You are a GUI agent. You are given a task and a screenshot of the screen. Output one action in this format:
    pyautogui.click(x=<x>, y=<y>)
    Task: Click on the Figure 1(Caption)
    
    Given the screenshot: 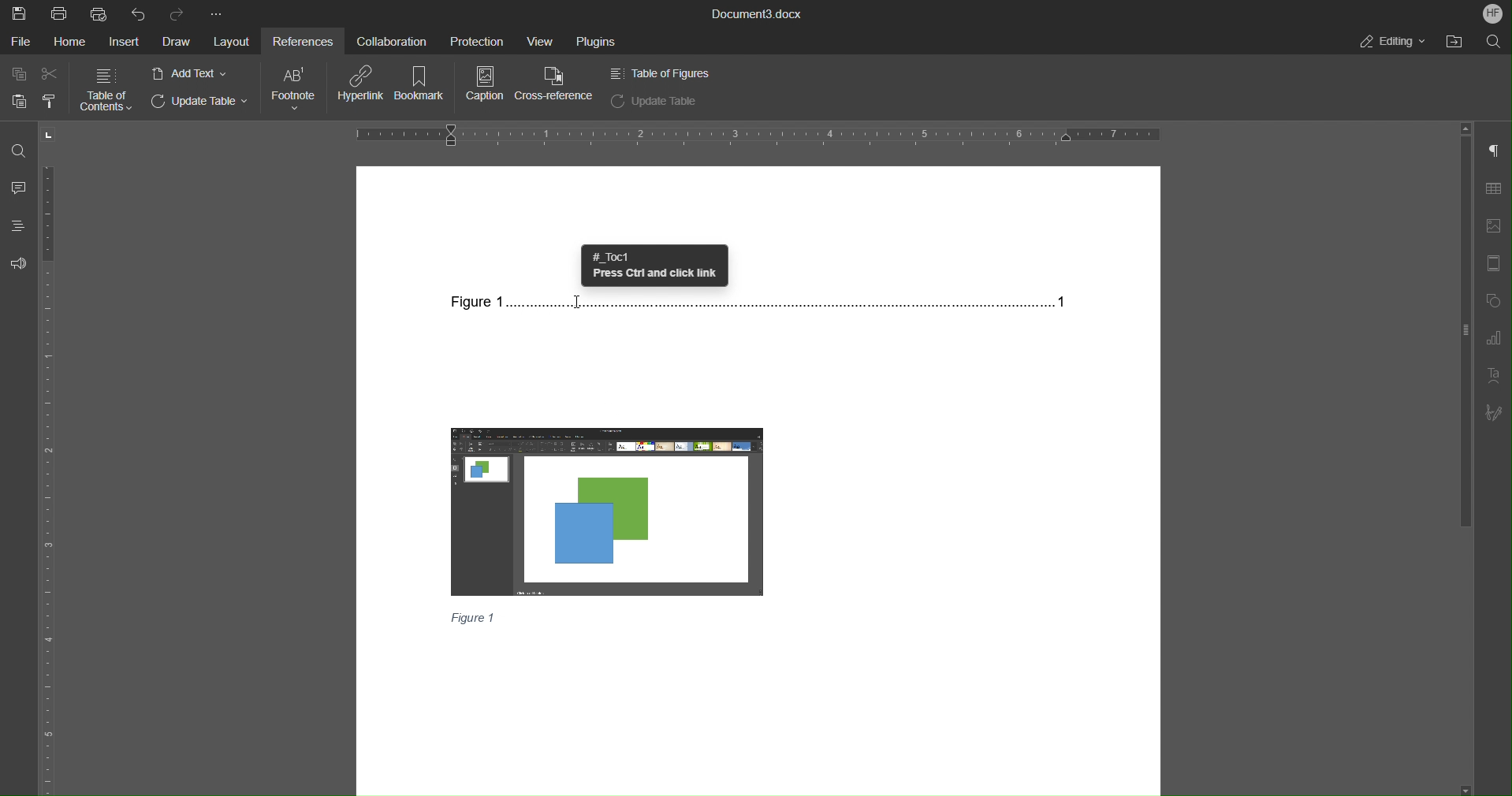 What is the action you would take?
    pyautogui.click(x=474, y=617)
    